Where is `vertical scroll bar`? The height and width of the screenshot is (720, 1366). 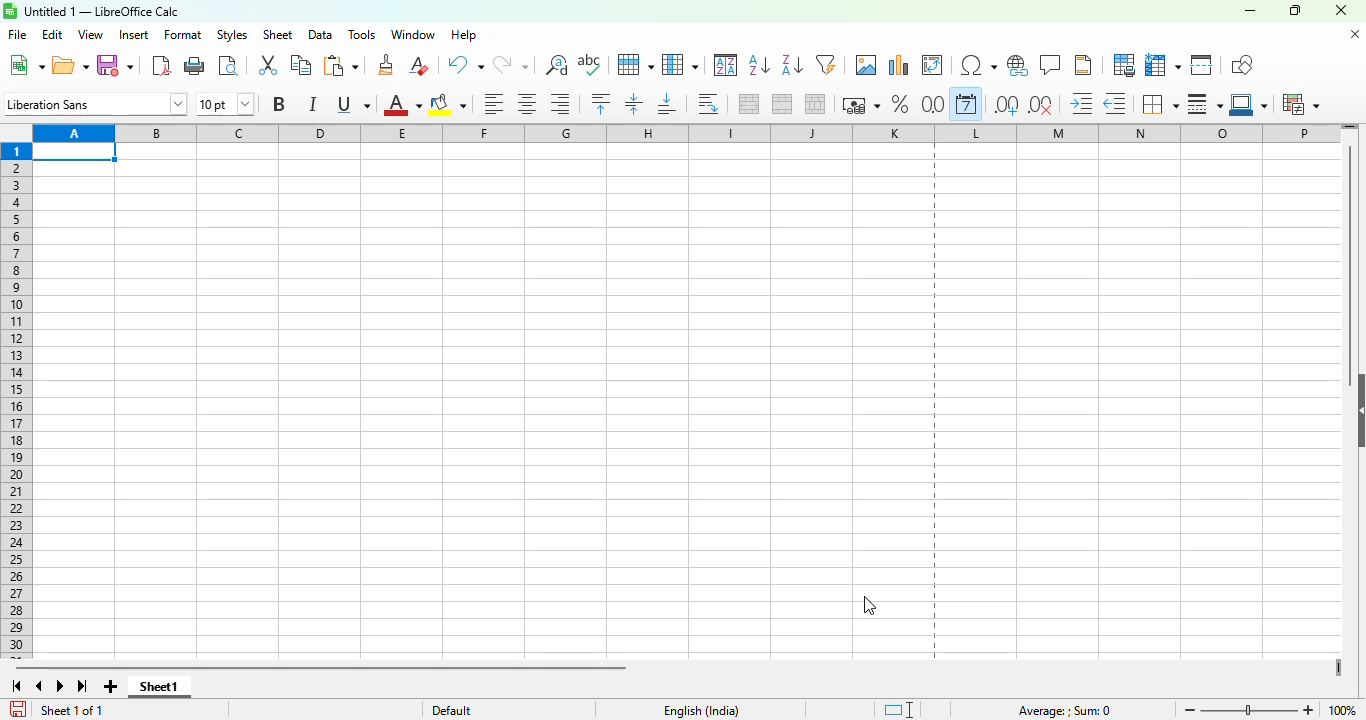
vertical scroll bar is located at coordinates (1351, 266).